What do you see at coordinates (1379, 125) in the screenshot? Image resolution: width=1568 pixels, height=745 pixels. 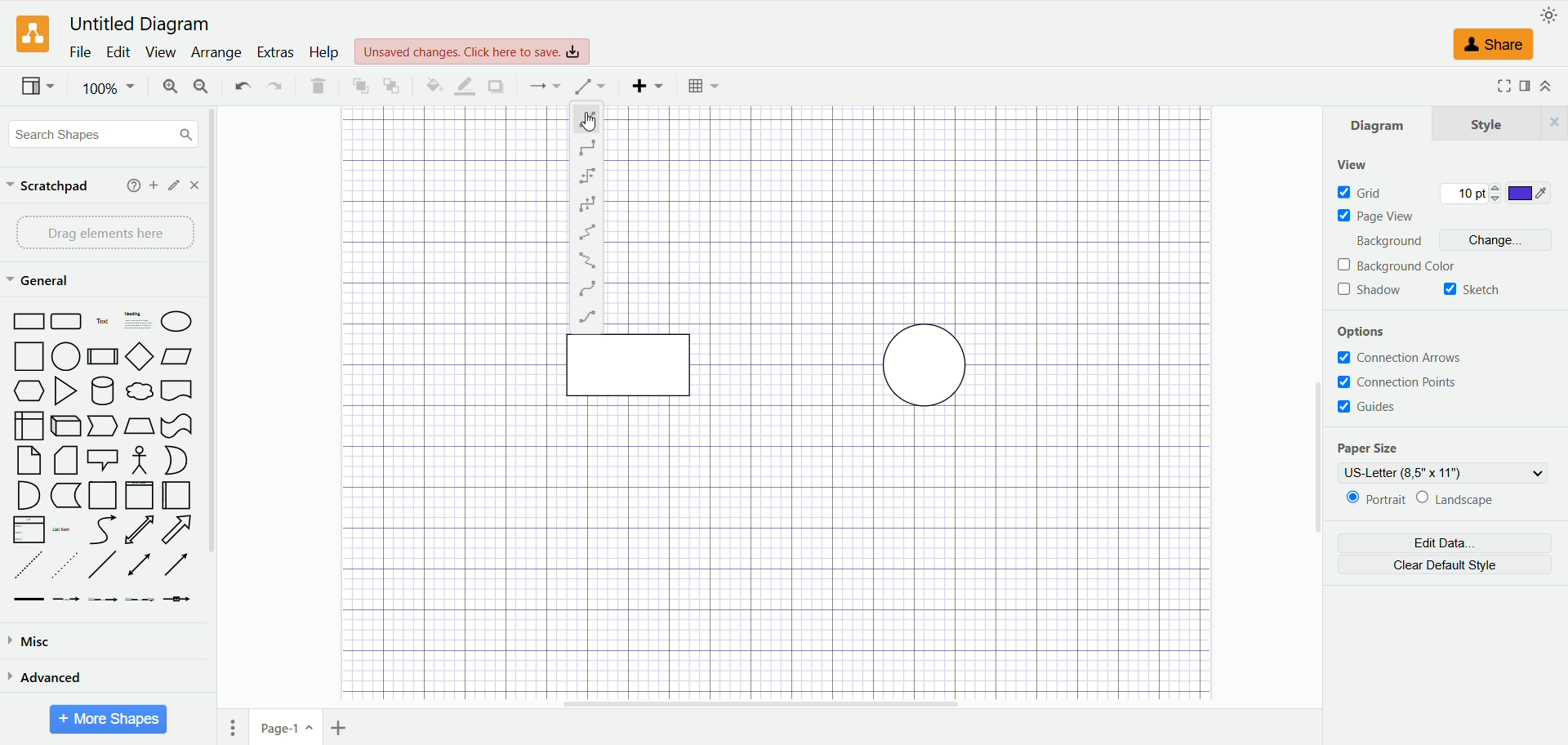 I see `diagram` at bounding box center [1379, 125].